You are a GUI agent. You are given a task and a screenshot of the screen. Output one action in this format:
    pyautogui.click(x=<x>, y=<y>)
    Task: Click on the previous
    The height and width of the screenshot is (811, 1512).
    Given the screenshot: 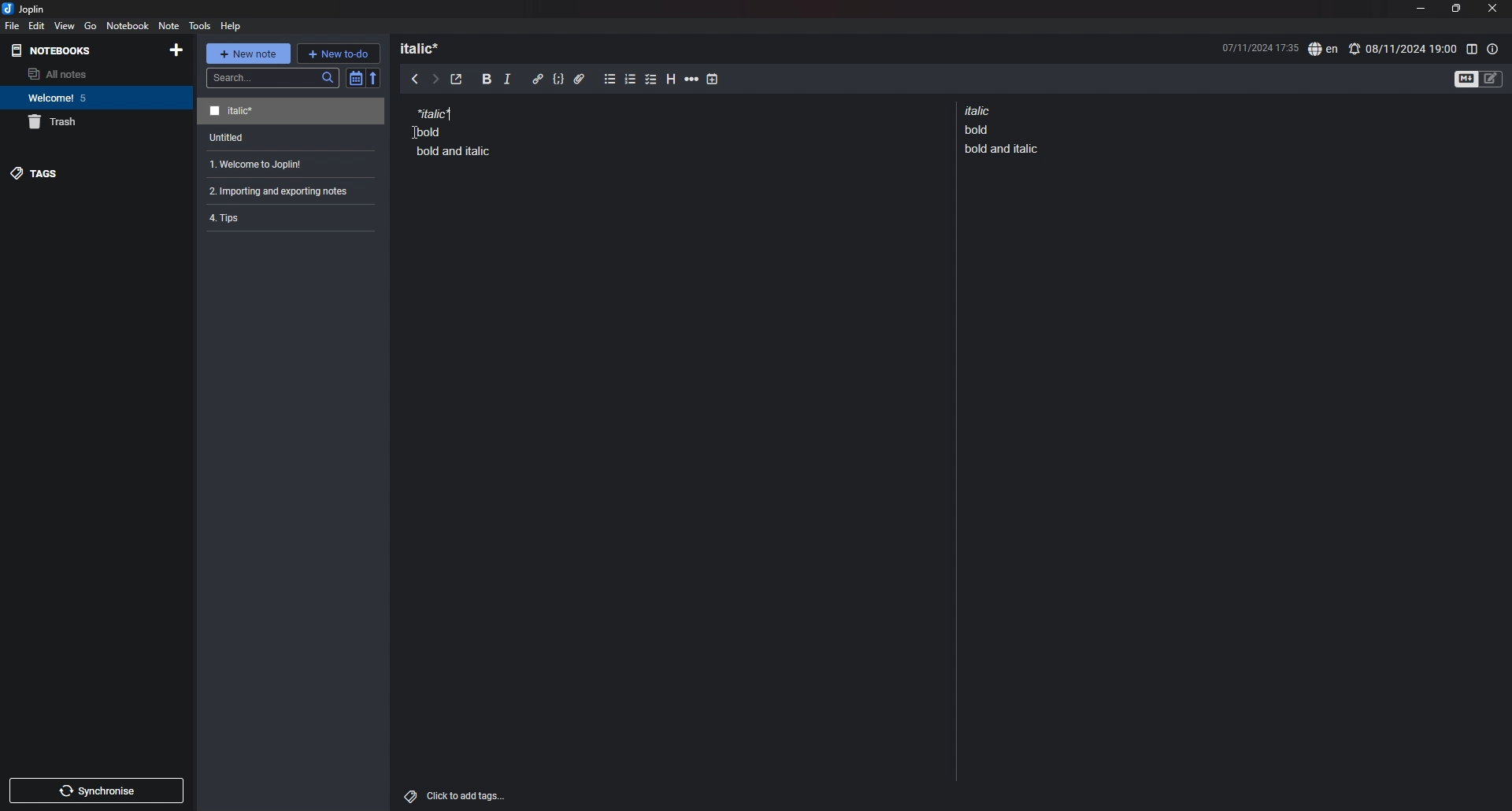 What is the action you would take?
    pyautogui.click(x=415, y=78)
    